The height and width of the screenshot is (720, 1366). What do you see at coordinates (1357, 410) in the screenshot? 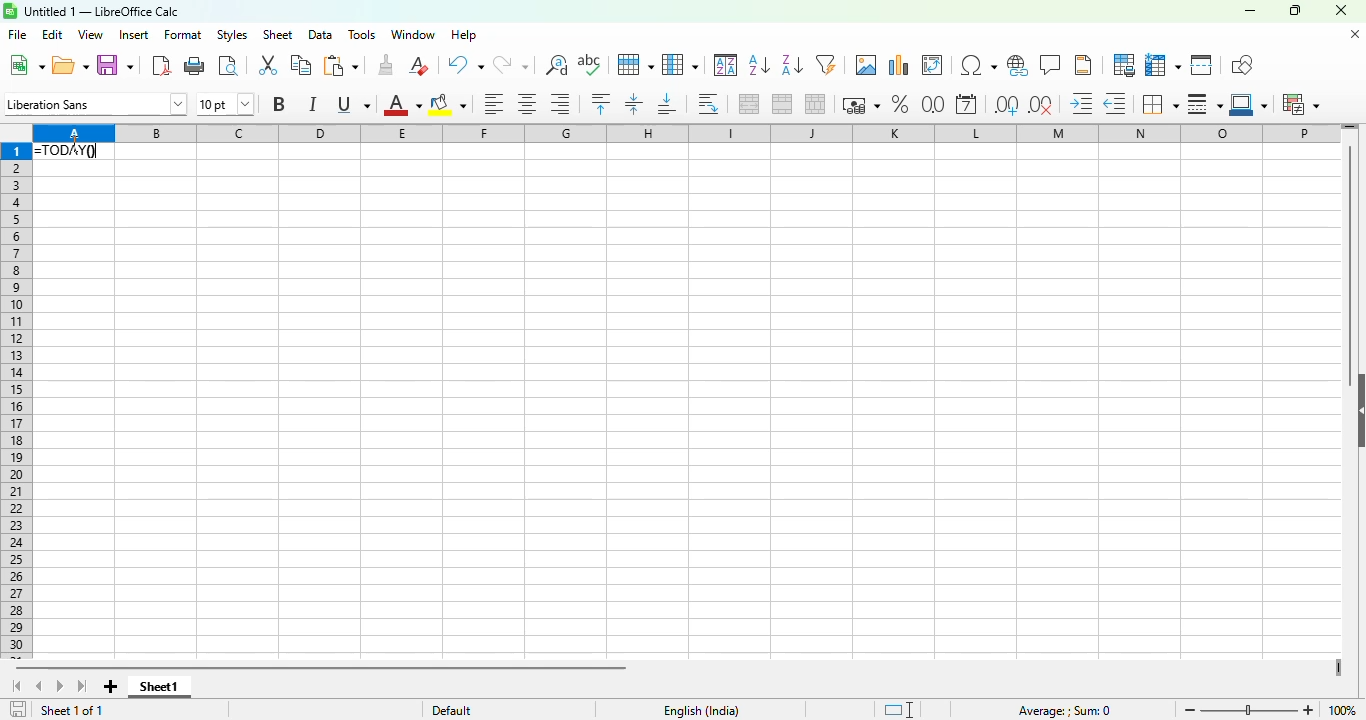
I see `show` at bounding box center [1357, 410].